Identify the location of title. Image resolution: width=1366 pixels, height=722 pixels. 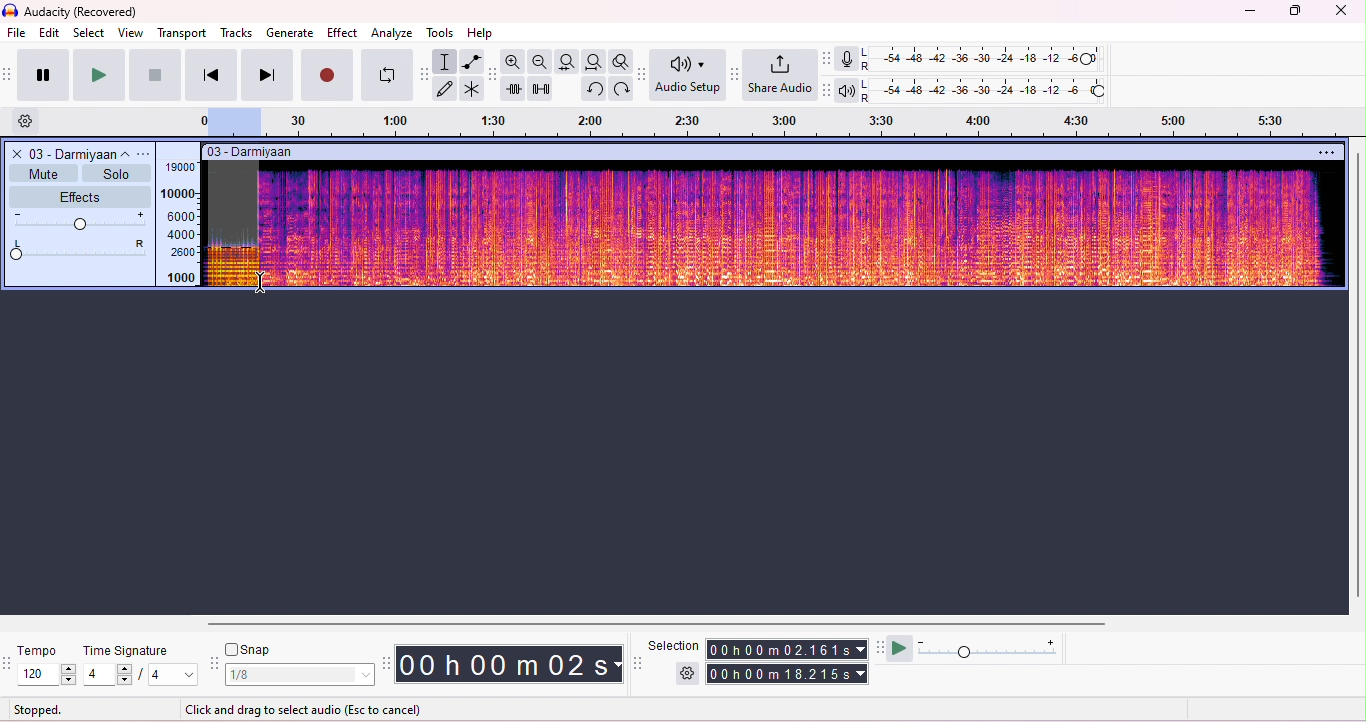
(73, 12).